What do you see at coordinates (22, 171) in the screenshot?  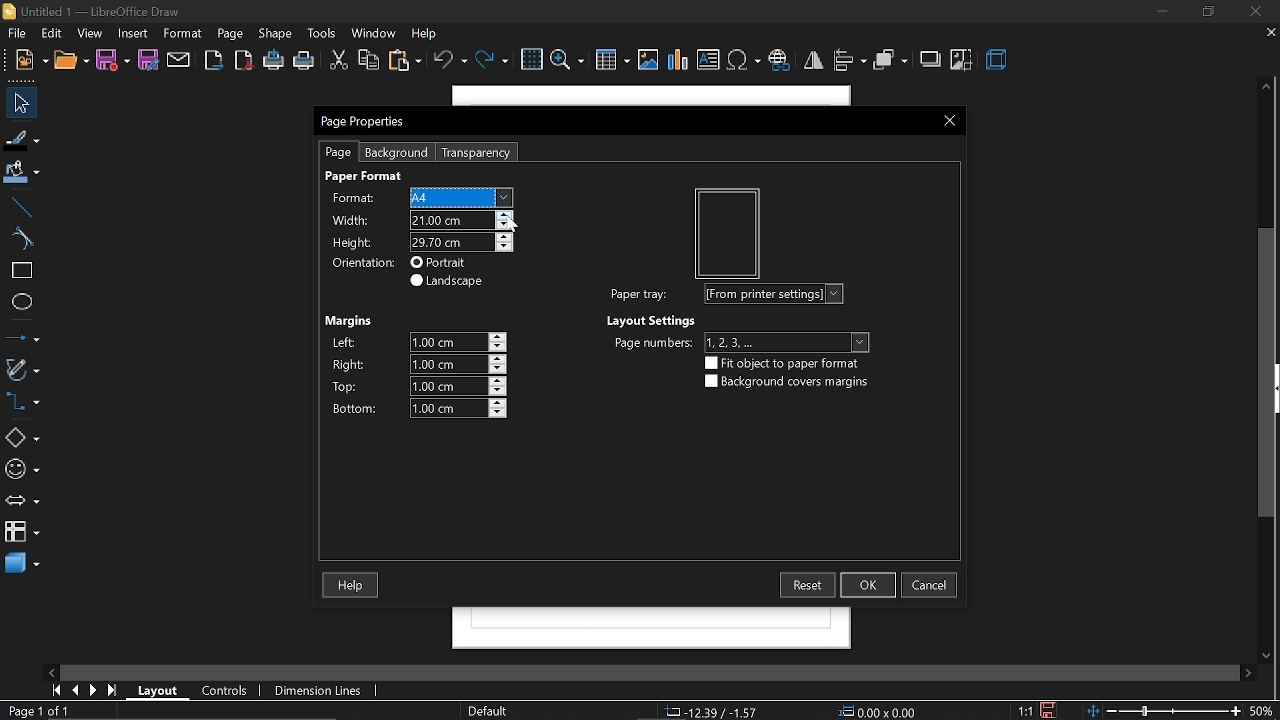 I see `fill color` at bounding box center [22, 171].